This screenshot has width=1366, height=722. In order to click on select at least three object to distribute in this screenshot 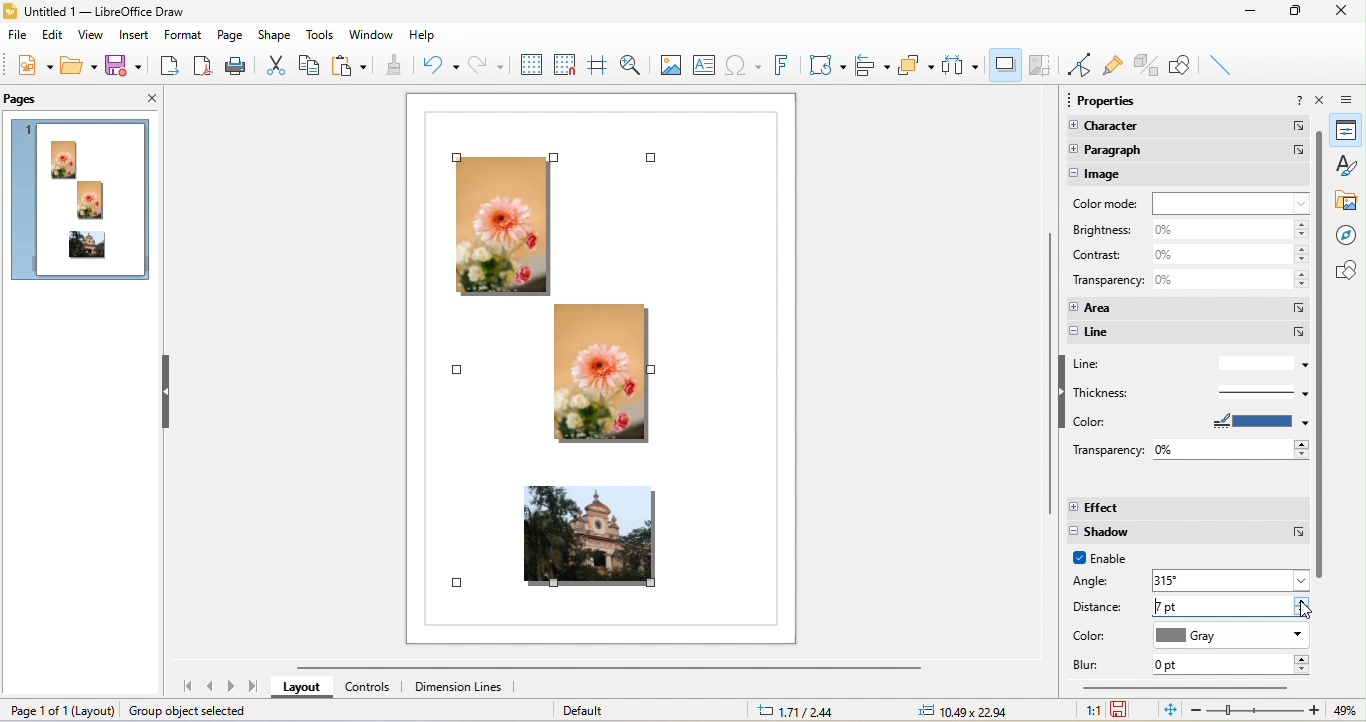, I will do `click(963, 65)`.